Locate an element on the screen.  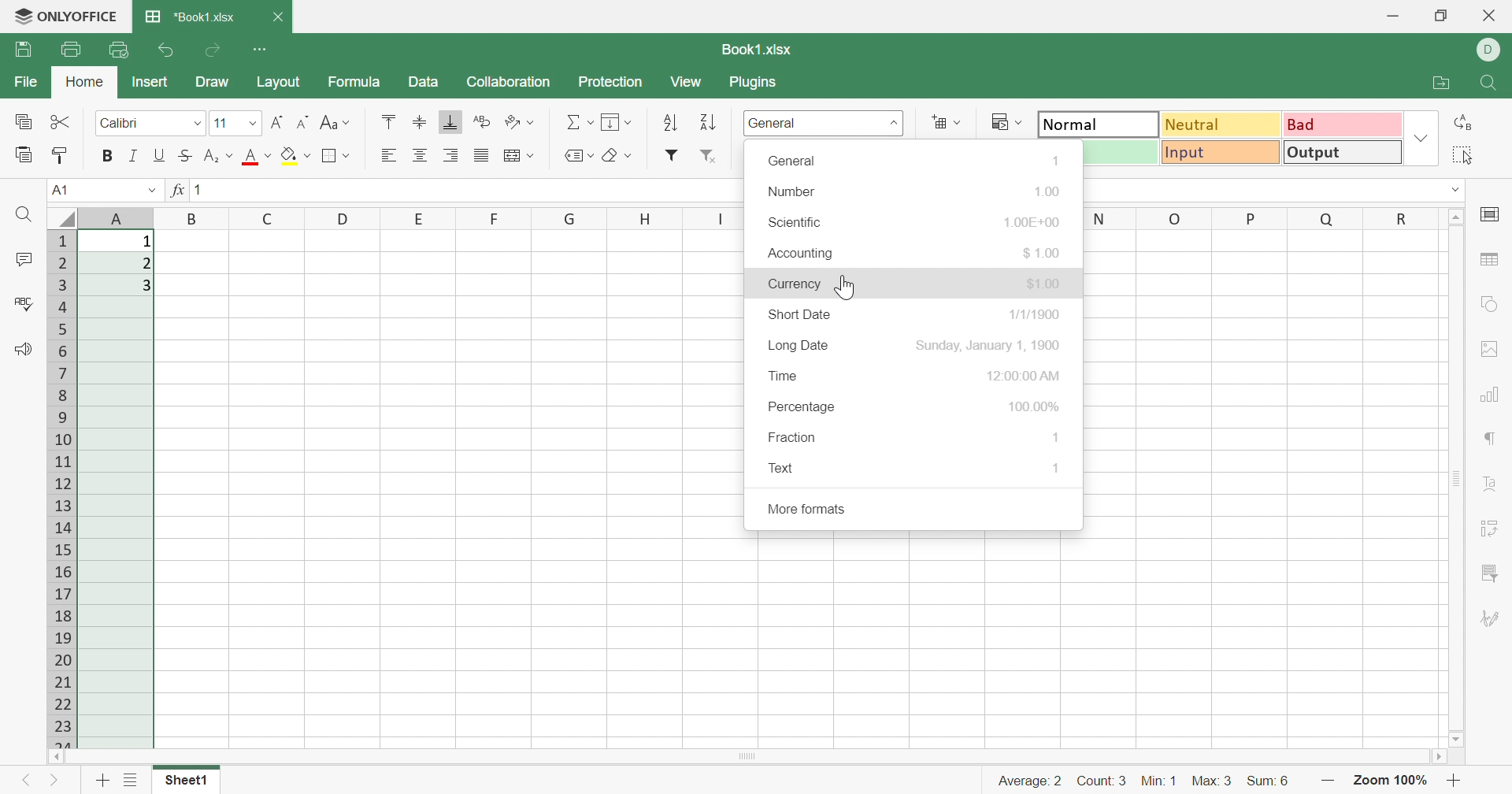
Percentage is located at coordinates (801, 408).